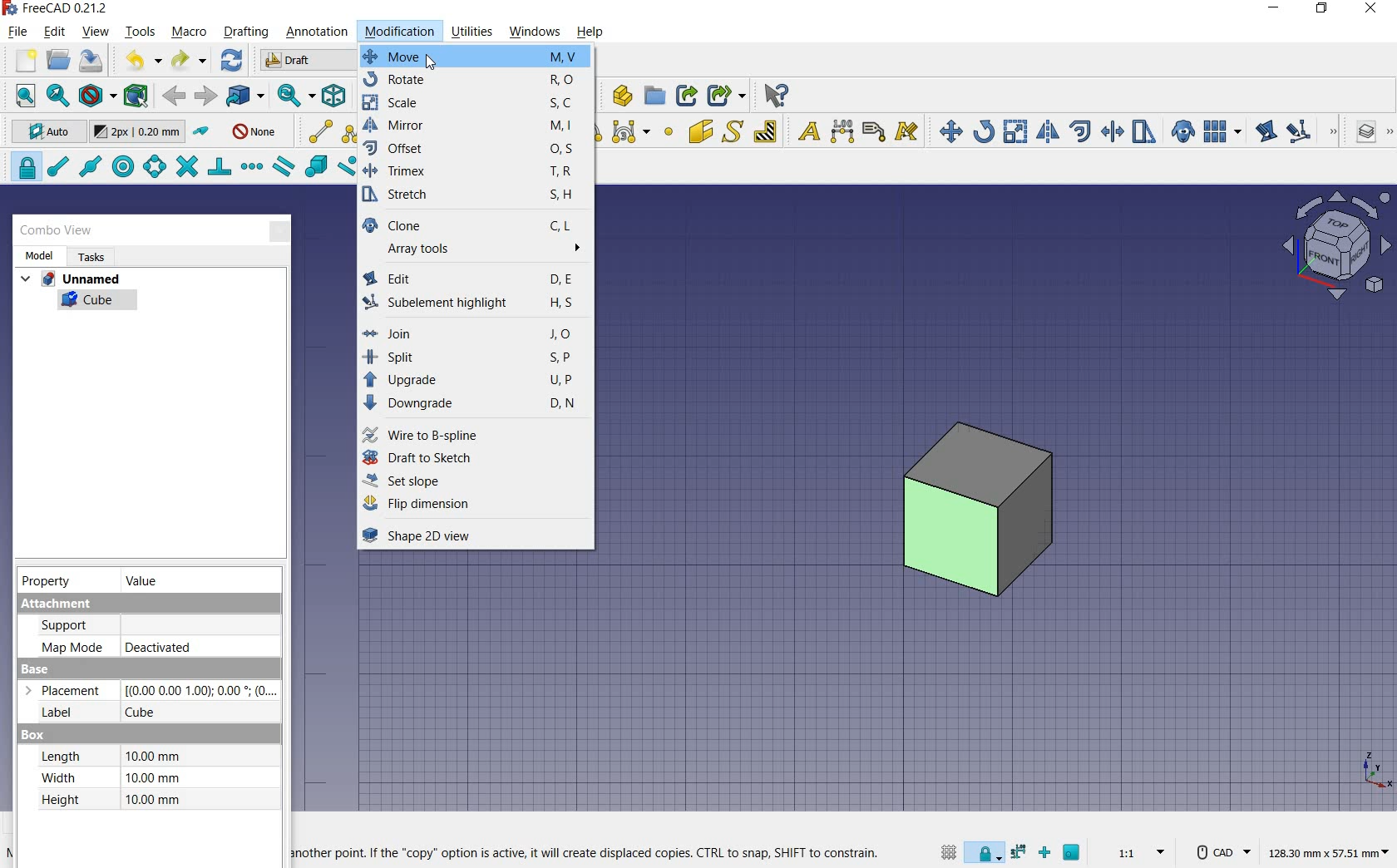 The width and height of the screenshot is (1397, 868). What do you see at coordinates (1144, 132) in the screenshot?
I see `stretch` at bounding box center [1144, 132].